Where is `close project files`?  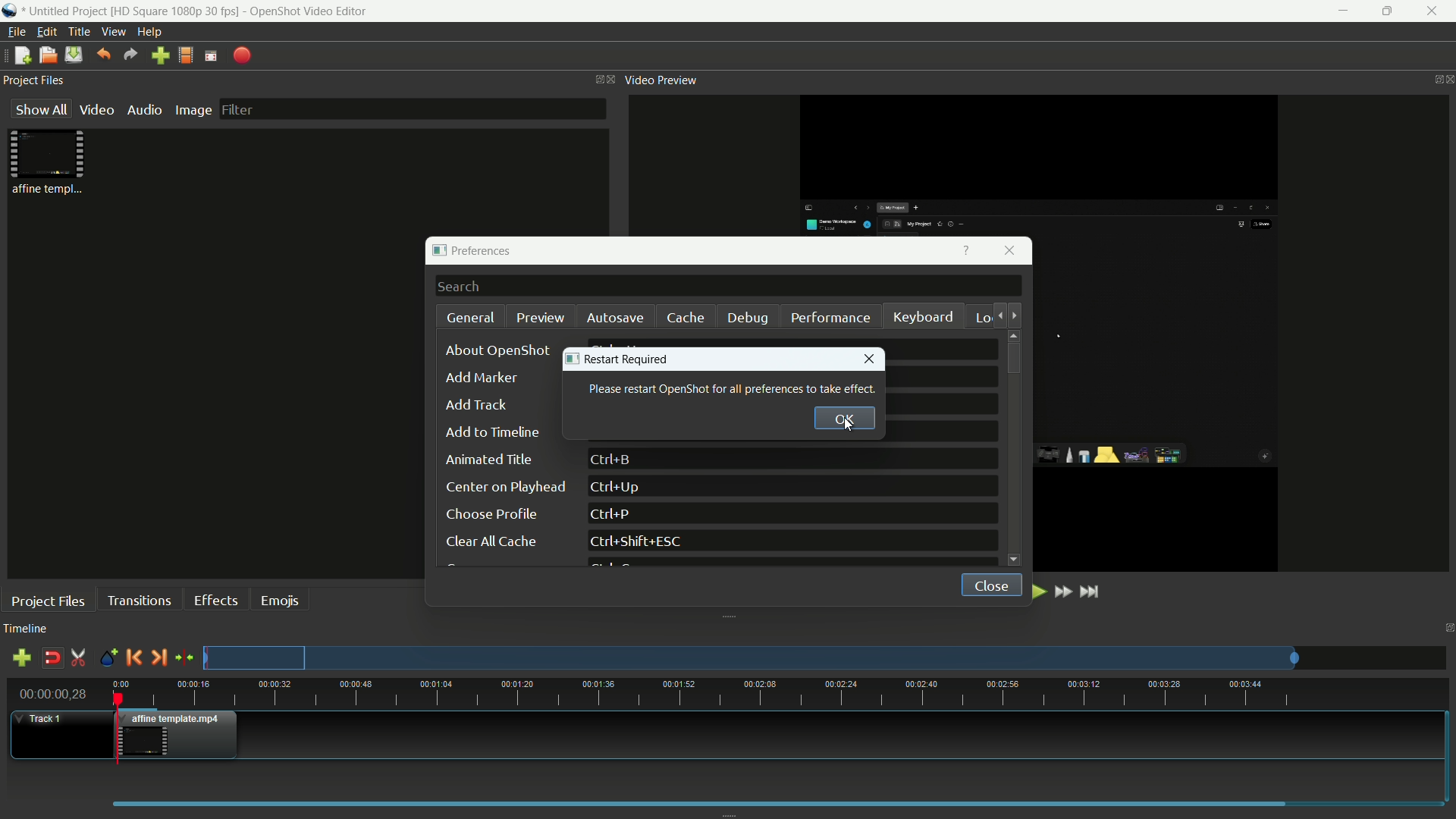
close project files is located at coordinates (608, 80).